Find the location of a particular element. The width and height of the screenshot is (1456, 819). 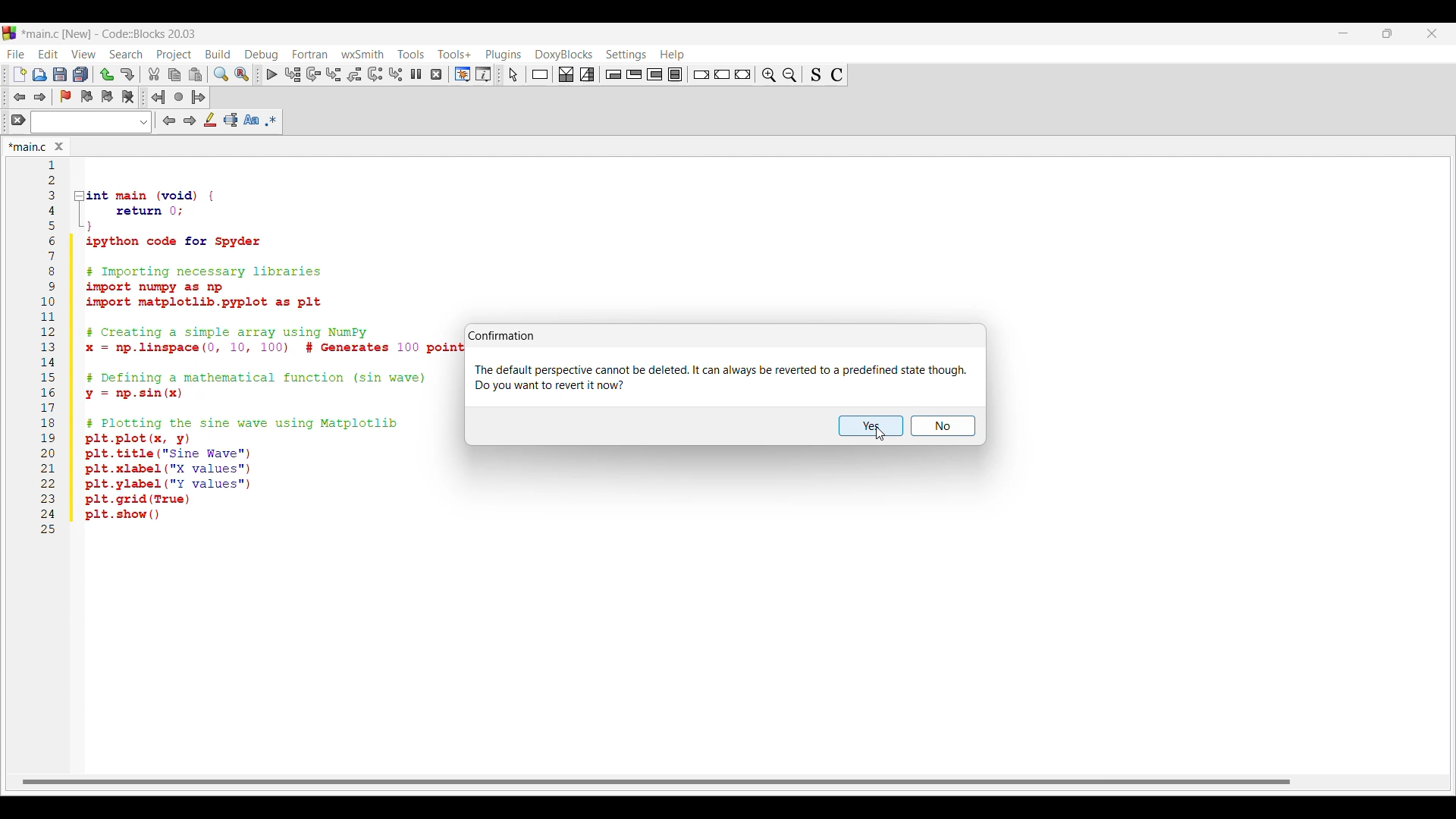

Selection is located at coordinates (587, 74).